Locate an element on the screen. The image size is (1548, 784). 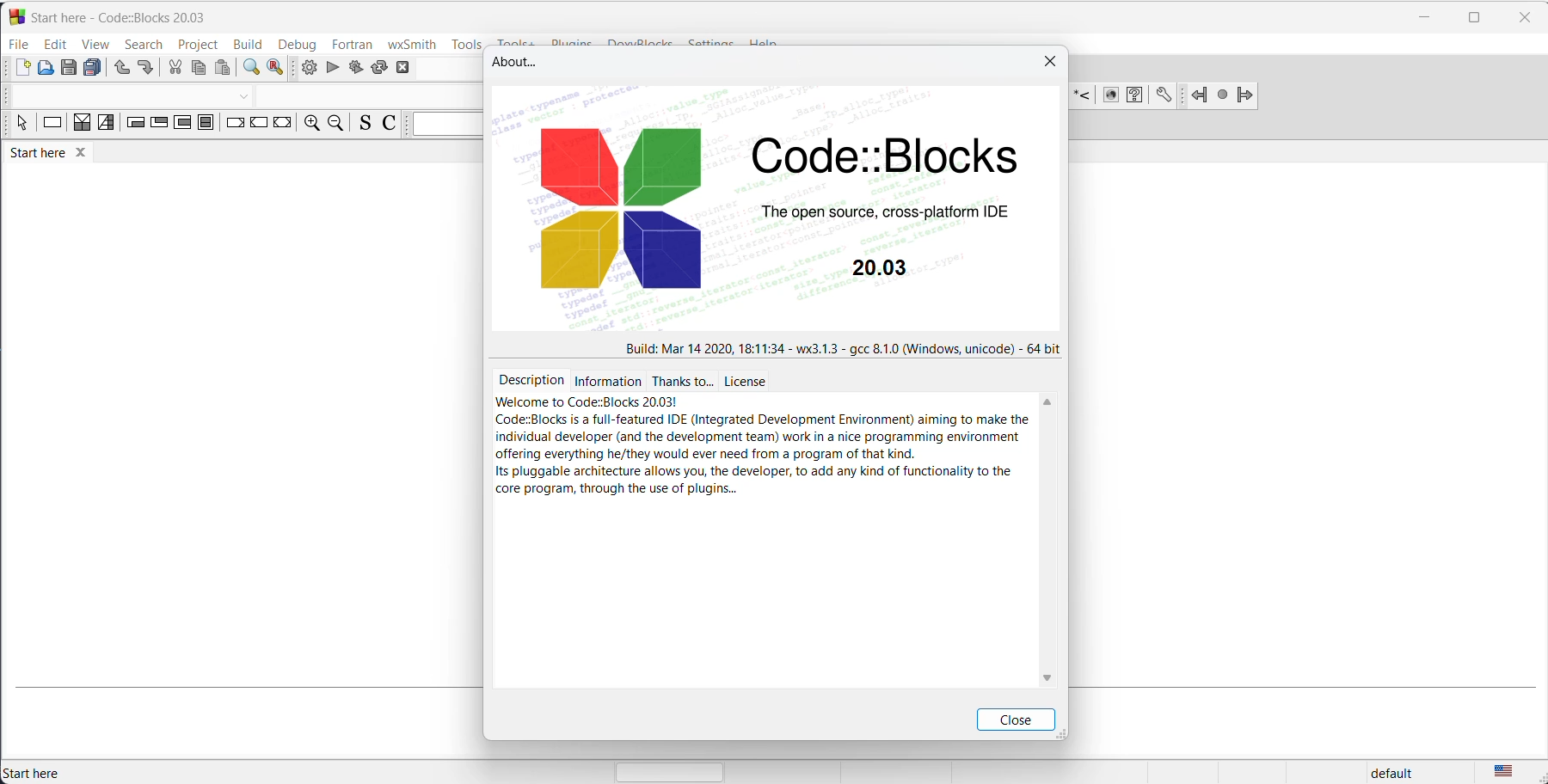
rebuild is located at coordinates (378, 70).